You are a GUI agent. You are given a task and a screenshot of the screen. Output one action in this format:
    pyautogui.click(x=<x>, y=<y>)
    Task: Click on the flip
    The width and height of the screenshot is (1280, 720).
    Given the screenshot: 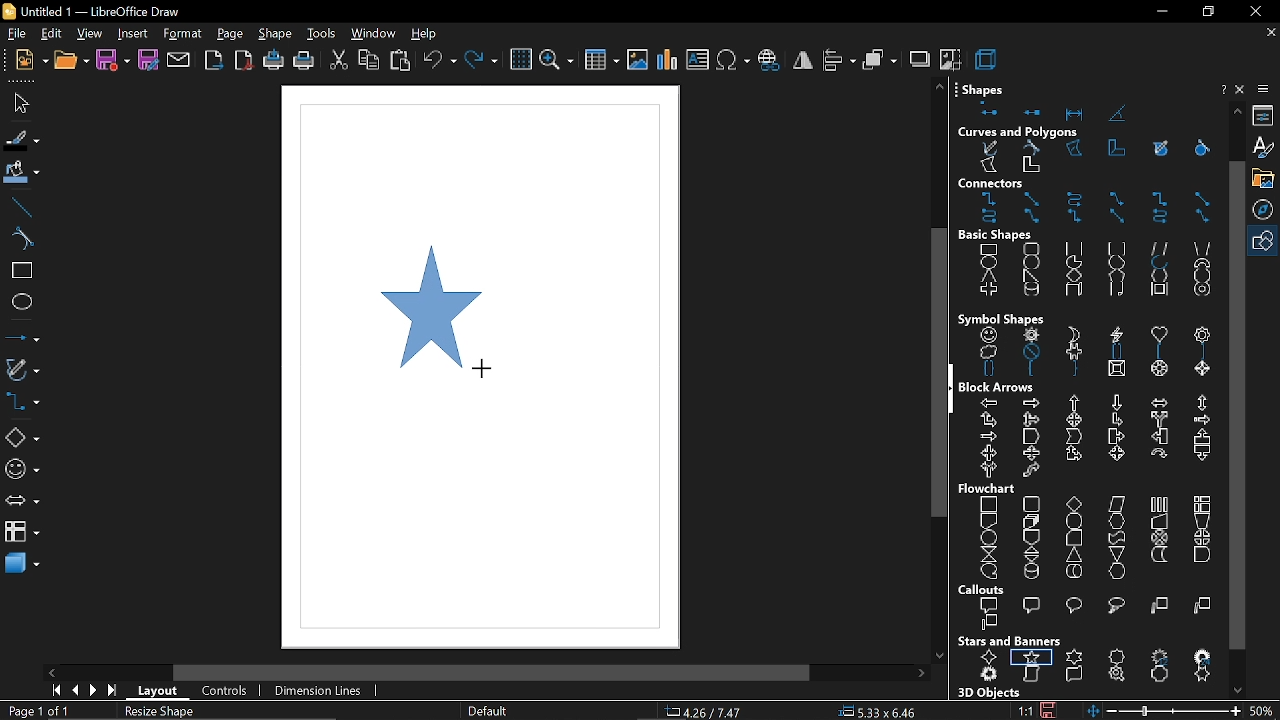 What is the action you would take?
    pyautogui.click(x=802, y=63)
    